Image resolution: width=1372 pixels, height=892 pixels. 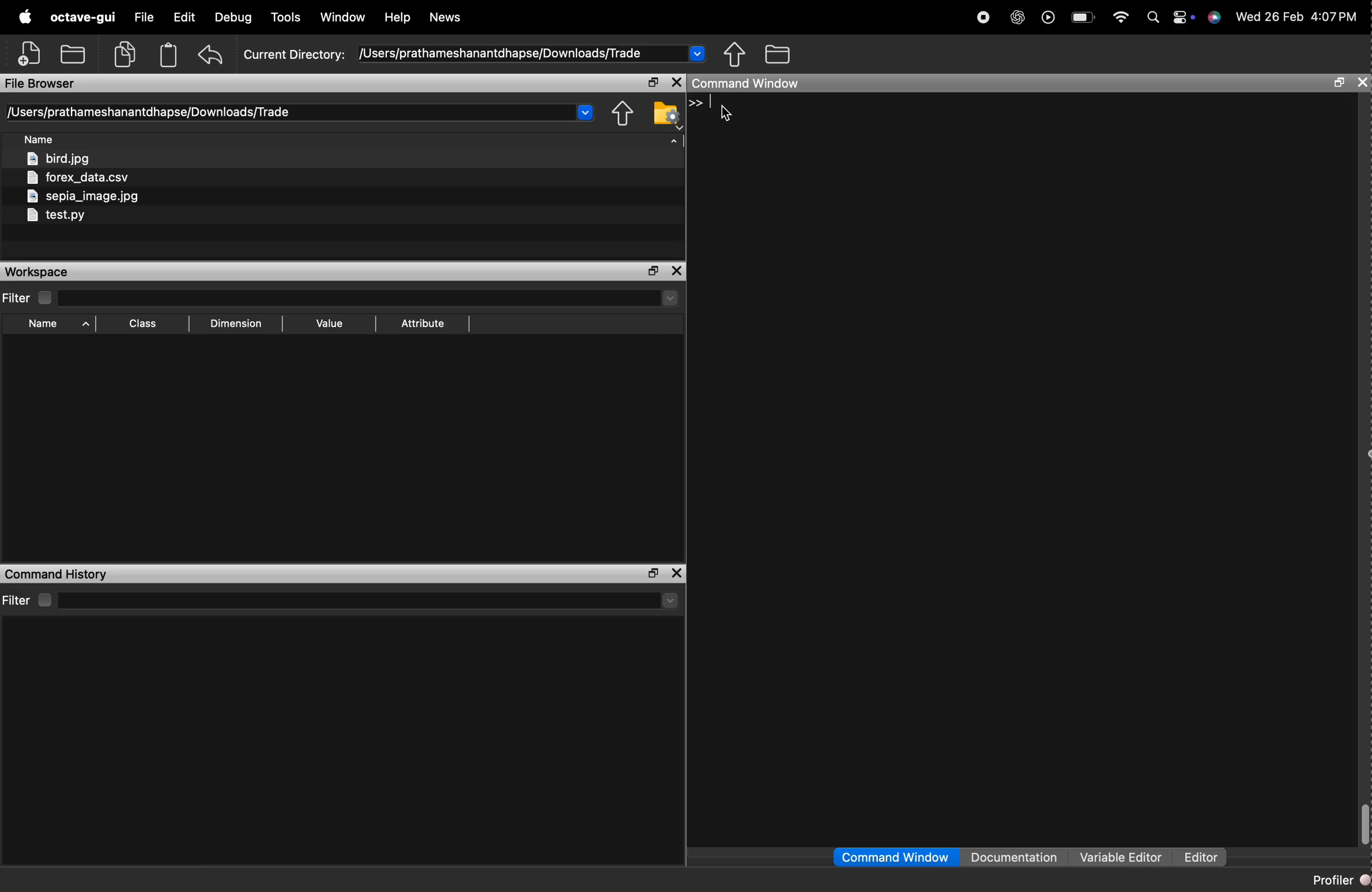 I want to click on apple, so click(x=25, y=16).